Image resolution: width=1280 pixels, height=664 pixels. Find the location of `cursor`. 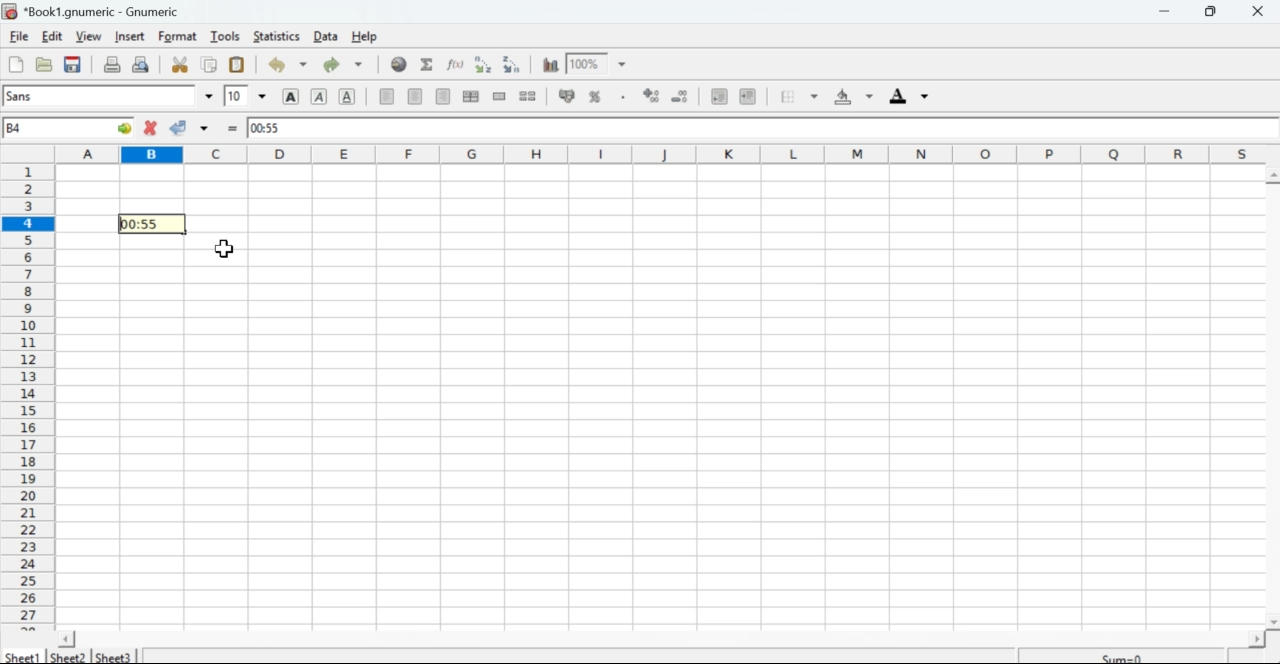

cursor is located at coordinates (225, 249).